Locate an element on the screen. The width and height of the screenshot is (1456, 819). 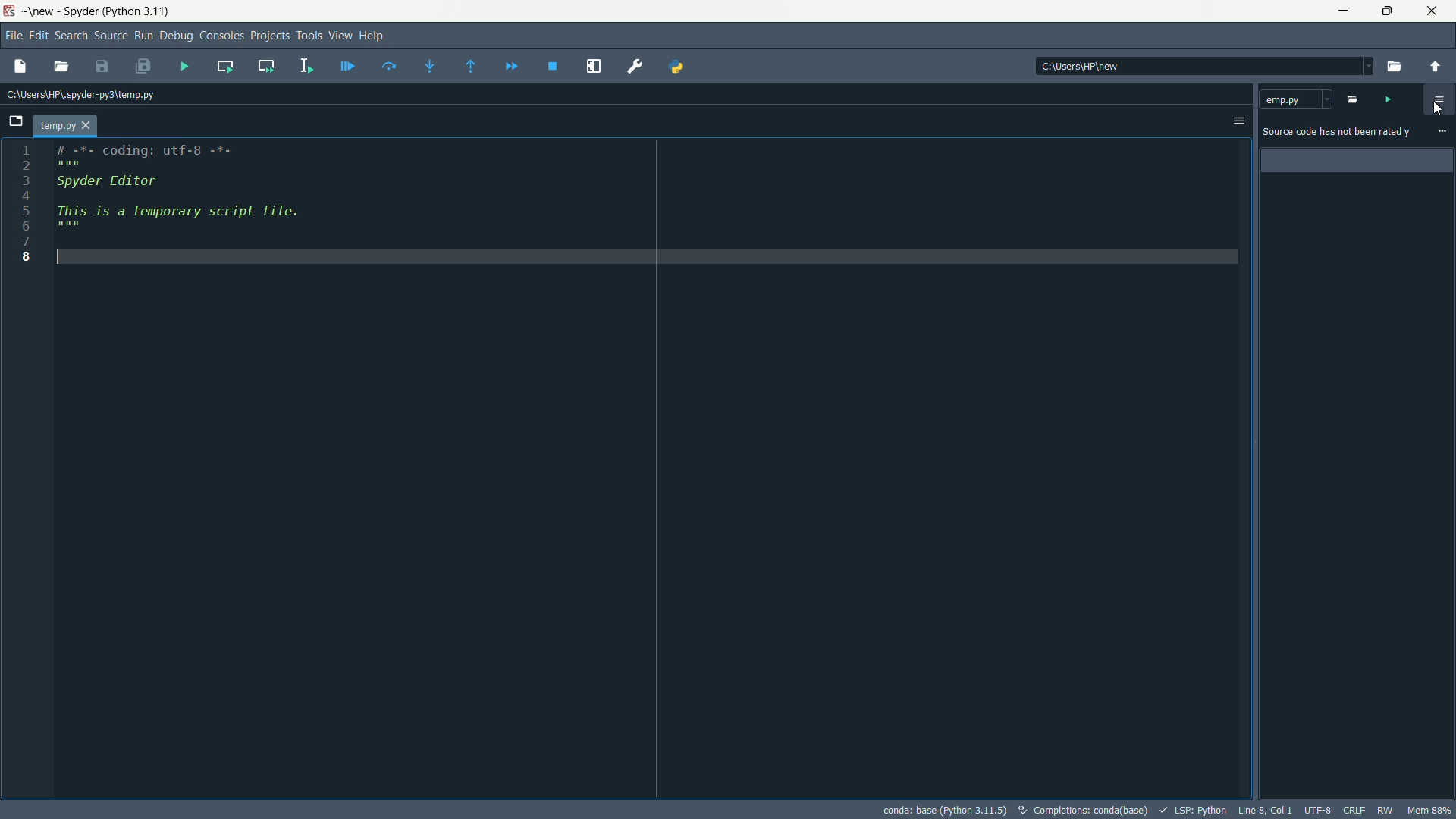
run selection is located at coordinates (306, 65).